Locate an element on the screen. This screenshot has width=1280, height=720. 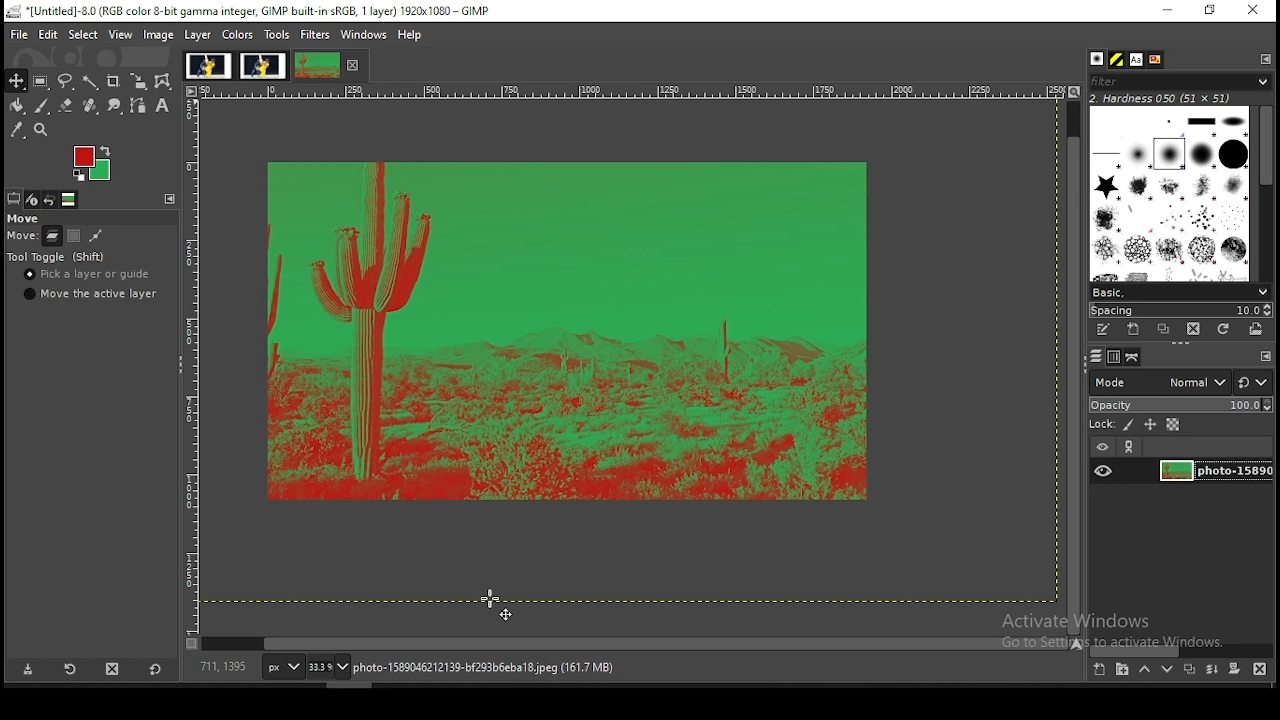
reload tool preset is located at coordinates (72, 668).